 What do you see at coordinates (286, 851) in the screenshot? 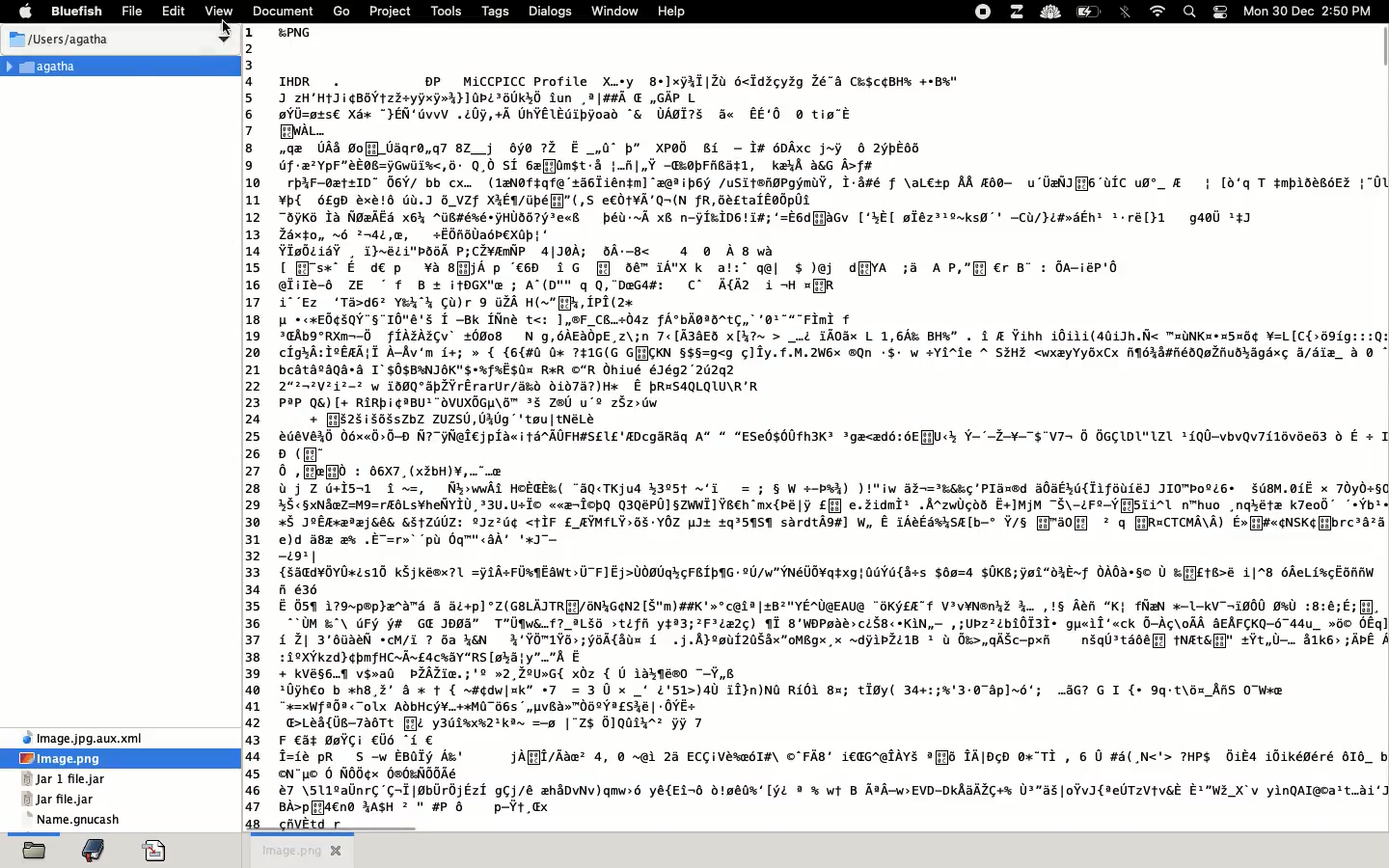
I see `image png` at bounding box center [286, 851].